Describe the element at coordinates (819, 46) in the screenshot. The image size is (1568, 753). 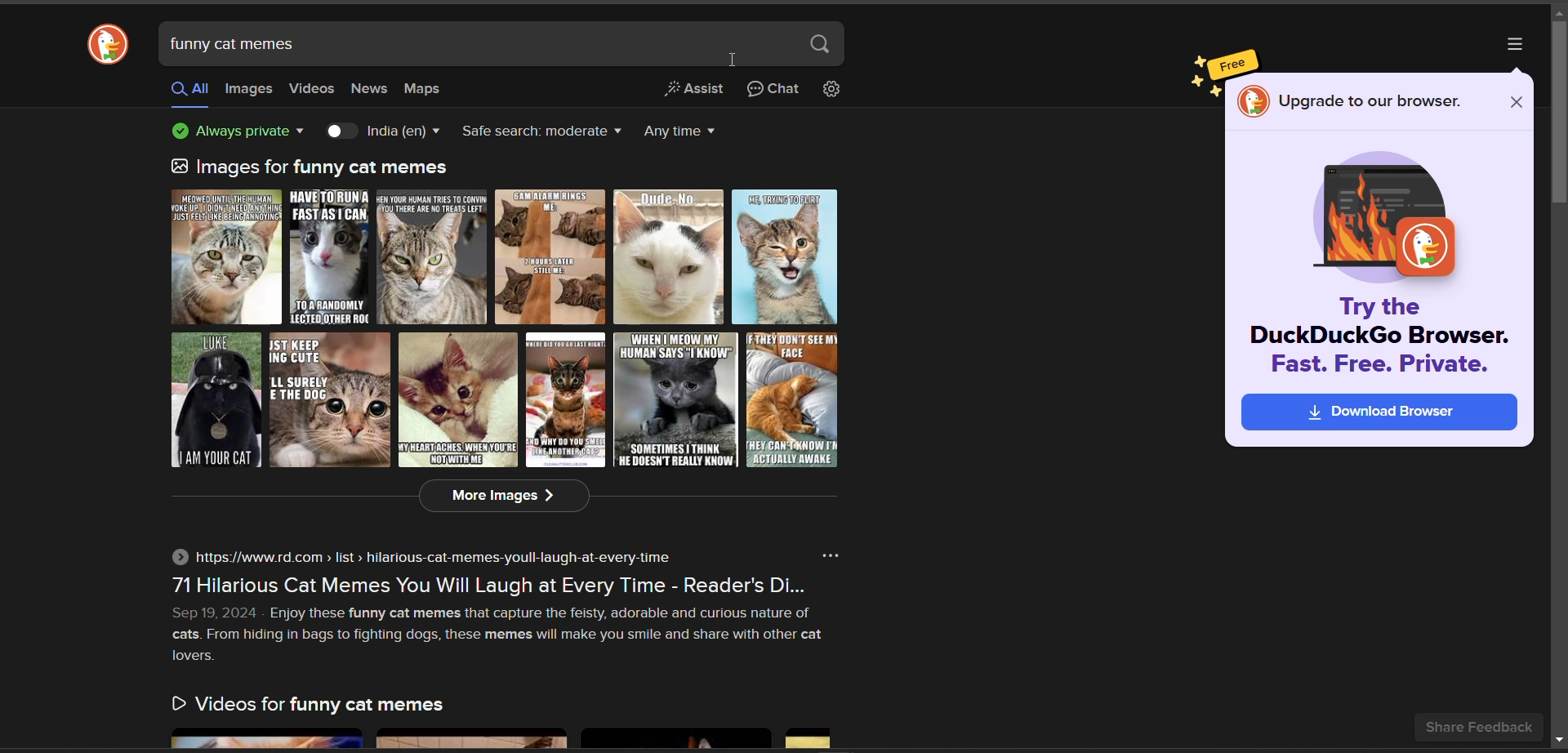
I see `search` at that location.